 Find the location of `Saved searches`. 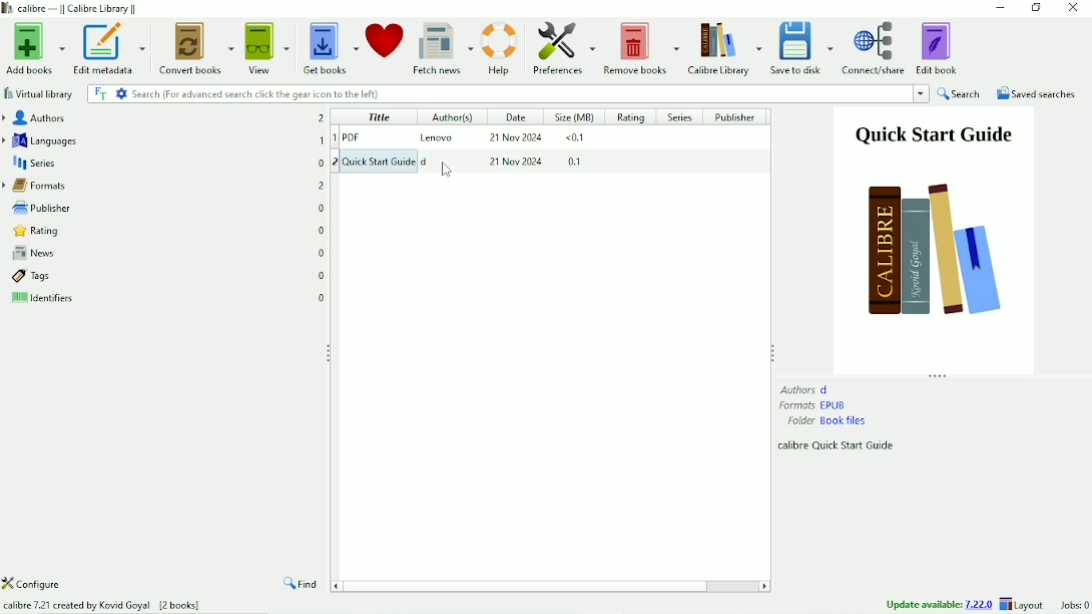

Saved searches is located at coordinates (1037, 94).